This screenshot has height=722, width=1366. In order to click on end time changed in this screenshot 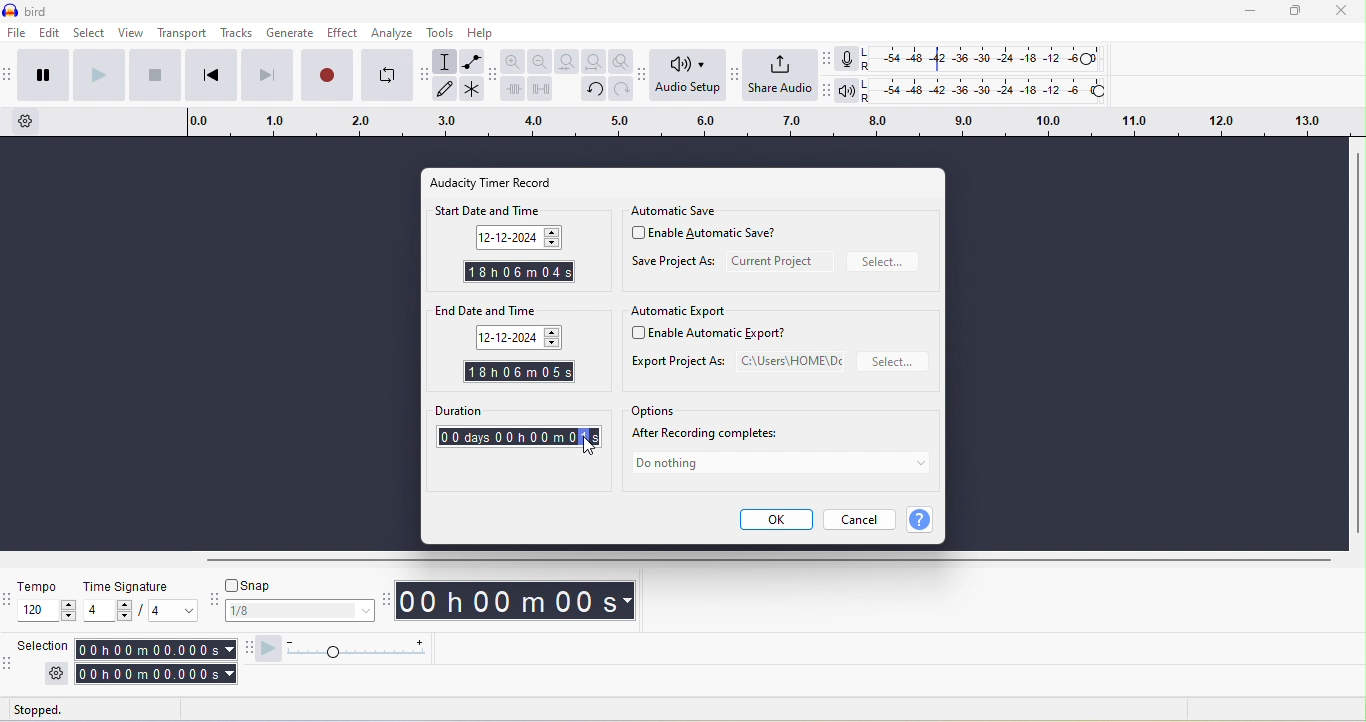, I will do `click(525, 372)`.